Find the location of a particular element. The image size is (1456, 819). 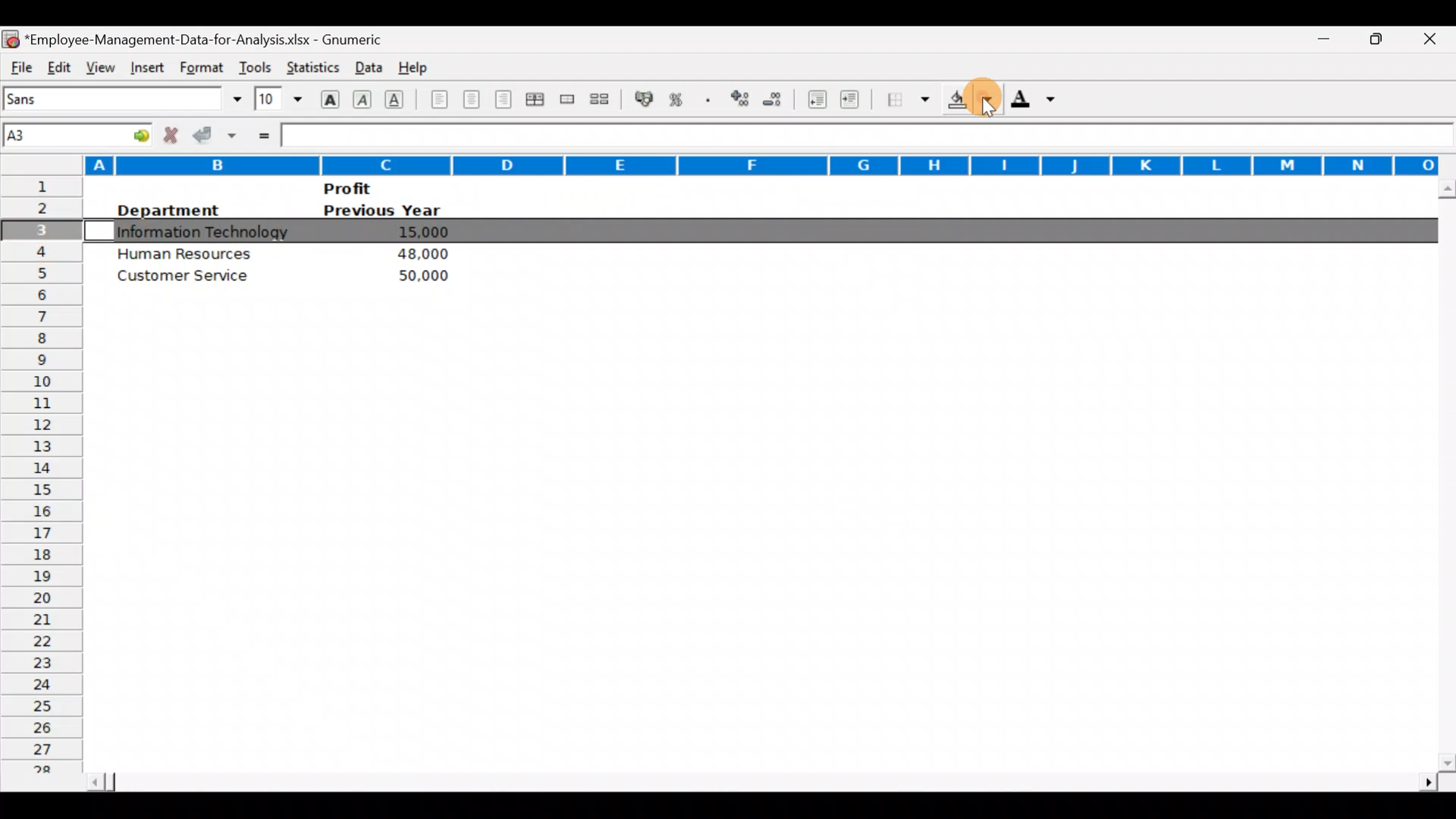

View is located at coordinates (97, 65).